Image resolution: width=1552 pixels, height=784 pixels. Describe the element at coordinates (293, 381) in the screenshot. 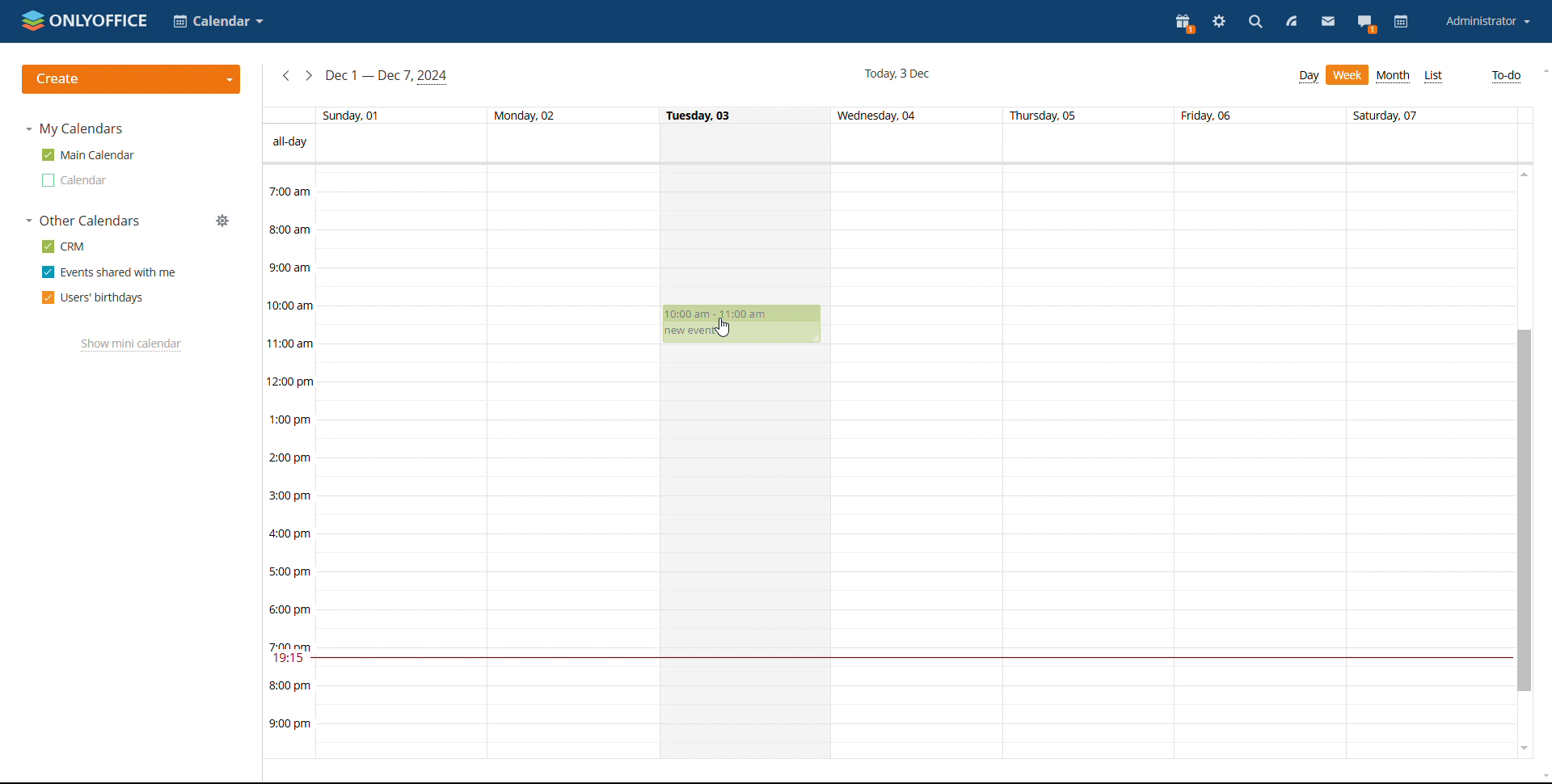

I see `12:00 pm` at that location.